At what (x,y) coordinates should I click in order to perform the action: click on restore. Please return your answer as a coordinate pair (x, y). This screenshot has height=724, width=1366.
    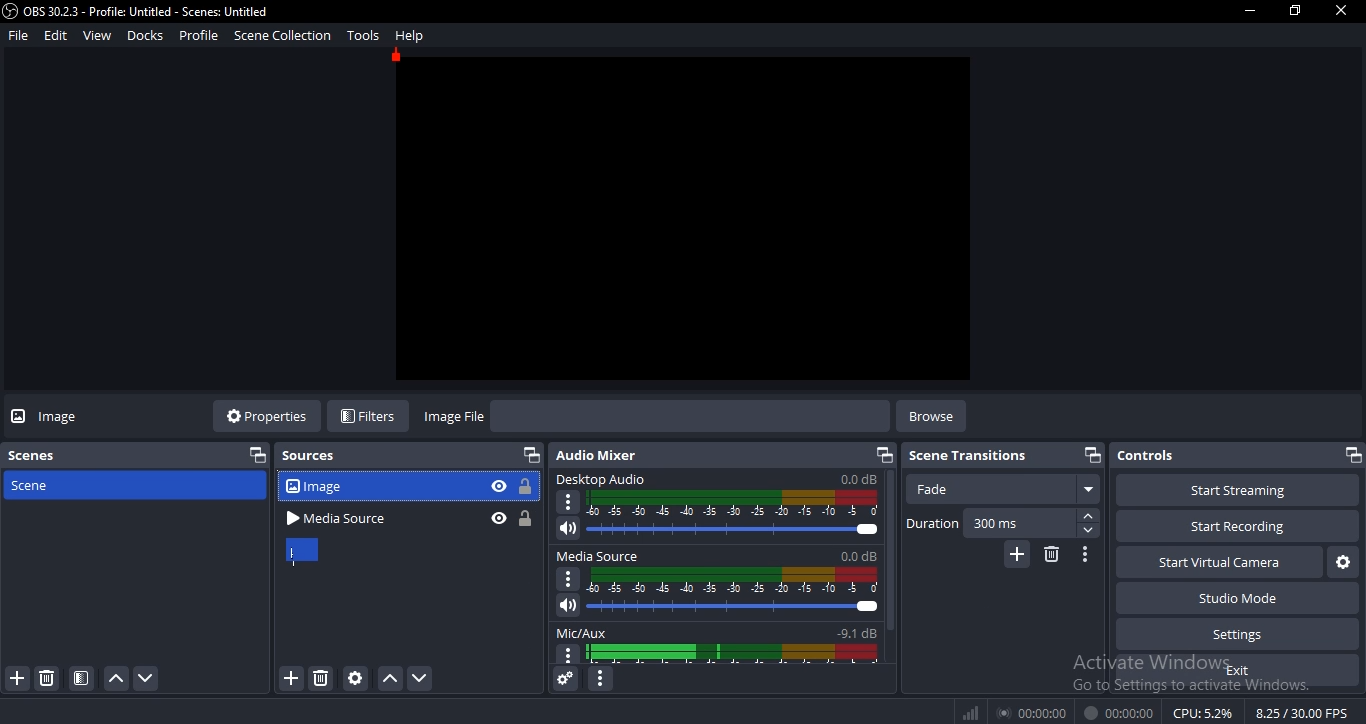
    Looking at the image, I should click on (528, 454).